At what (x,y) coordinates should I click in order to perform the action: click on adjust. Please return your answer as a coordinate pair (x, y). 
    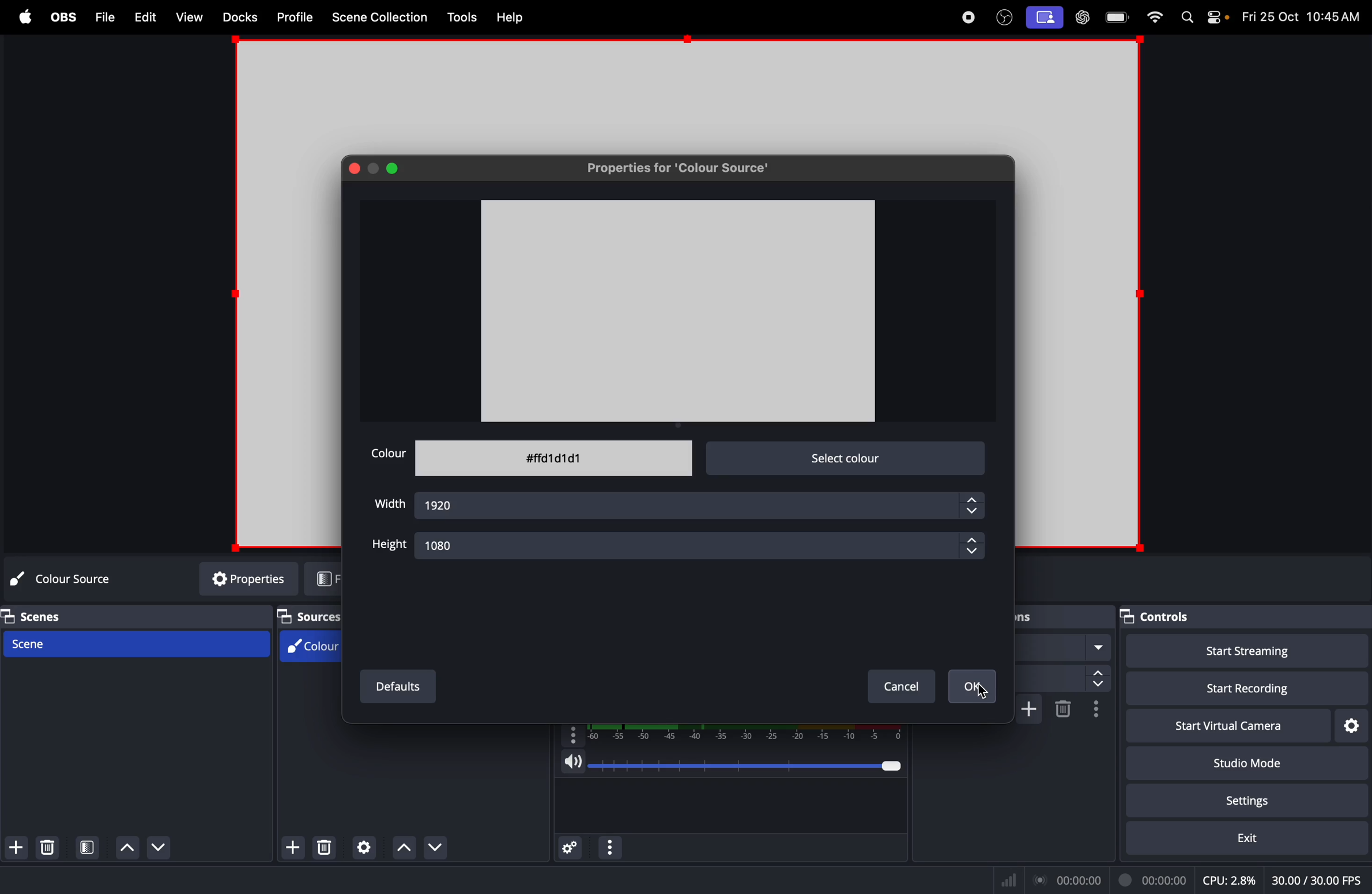
    Looking at the image, I should click on (971, 505).